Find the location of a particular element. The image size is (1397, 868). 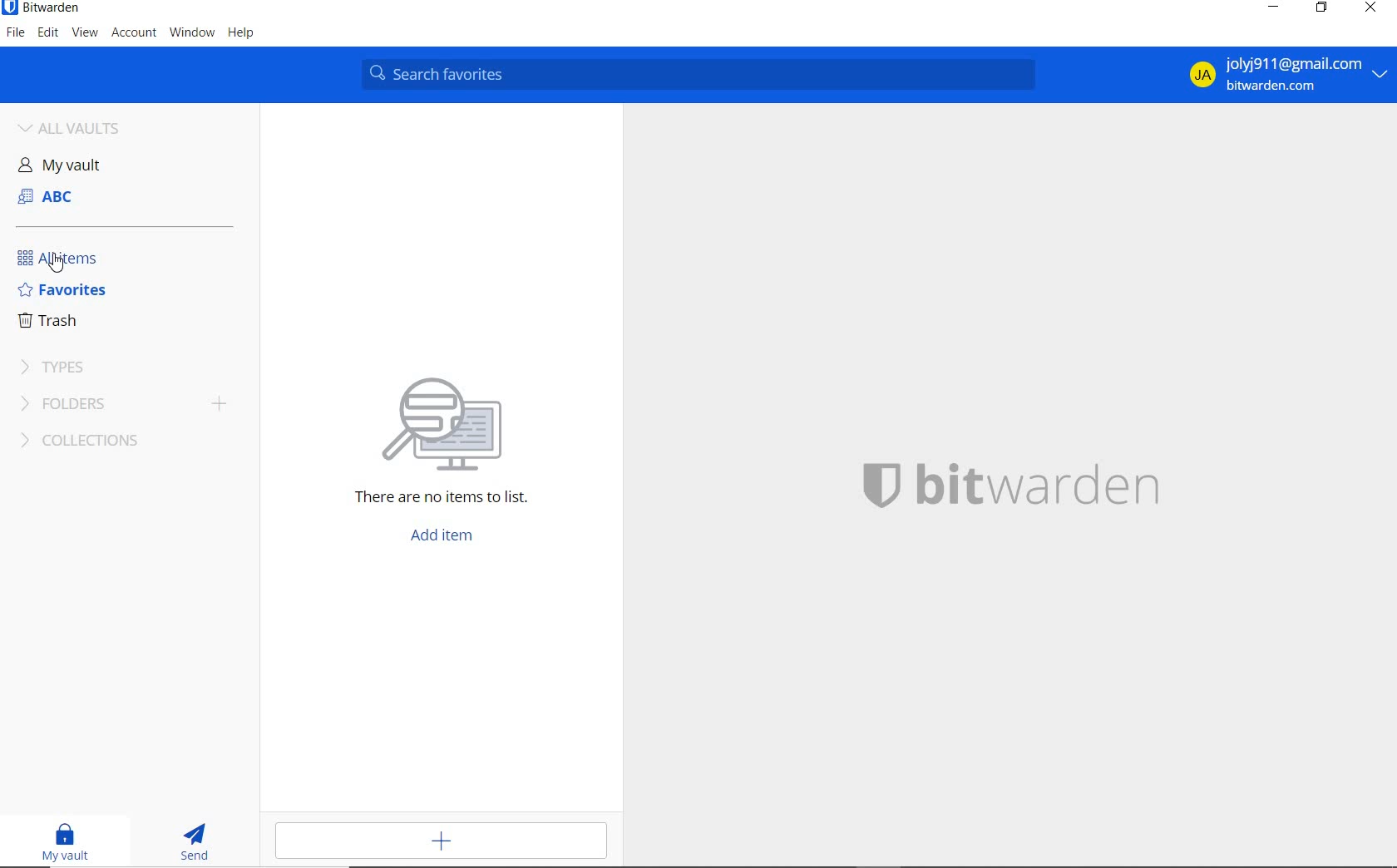

ACCOUNT is located at coordinates (136, 32).